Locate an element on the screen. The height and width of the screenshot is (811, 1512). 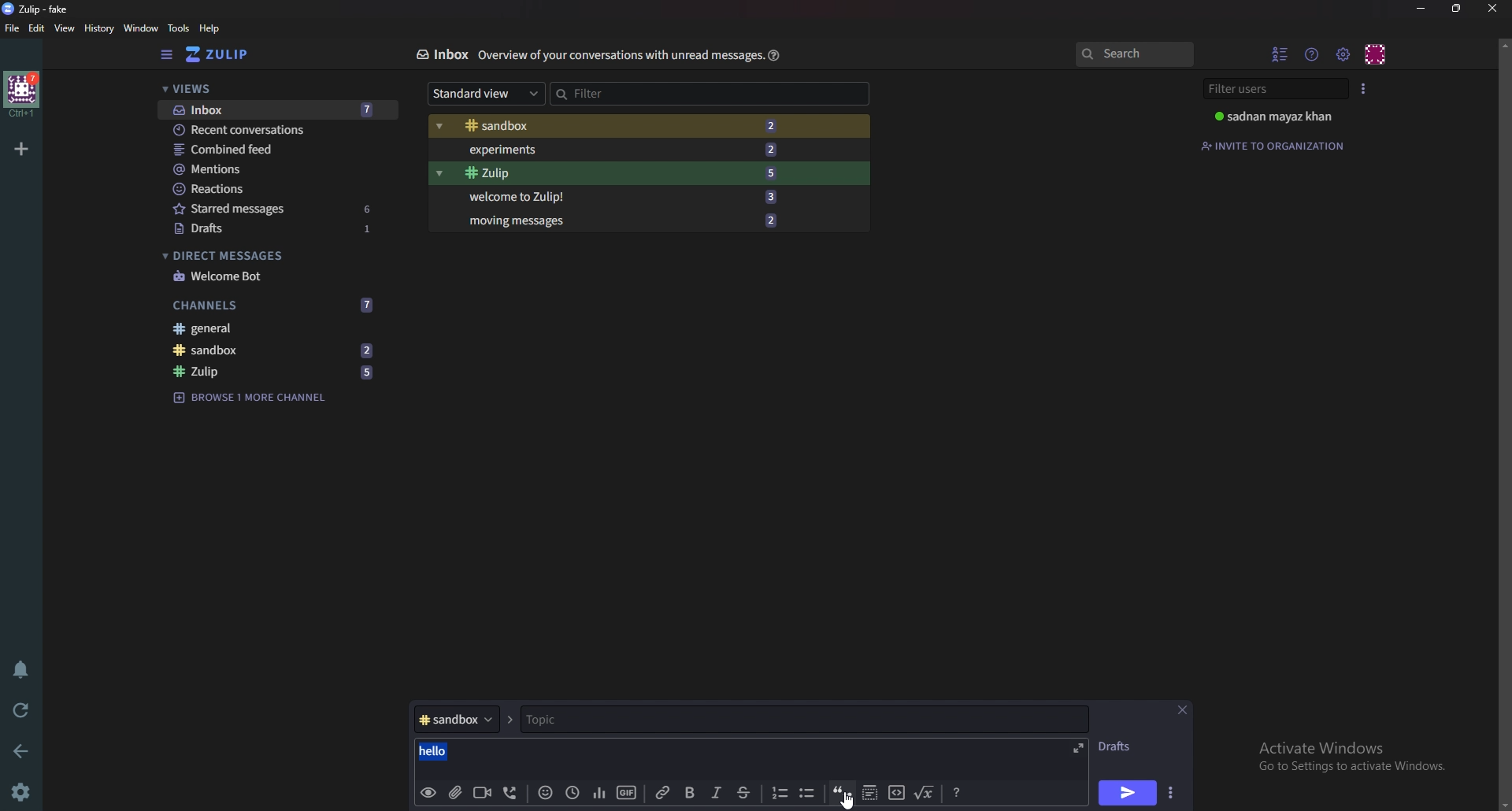
# sandbox is located at coordinates (455, 718).